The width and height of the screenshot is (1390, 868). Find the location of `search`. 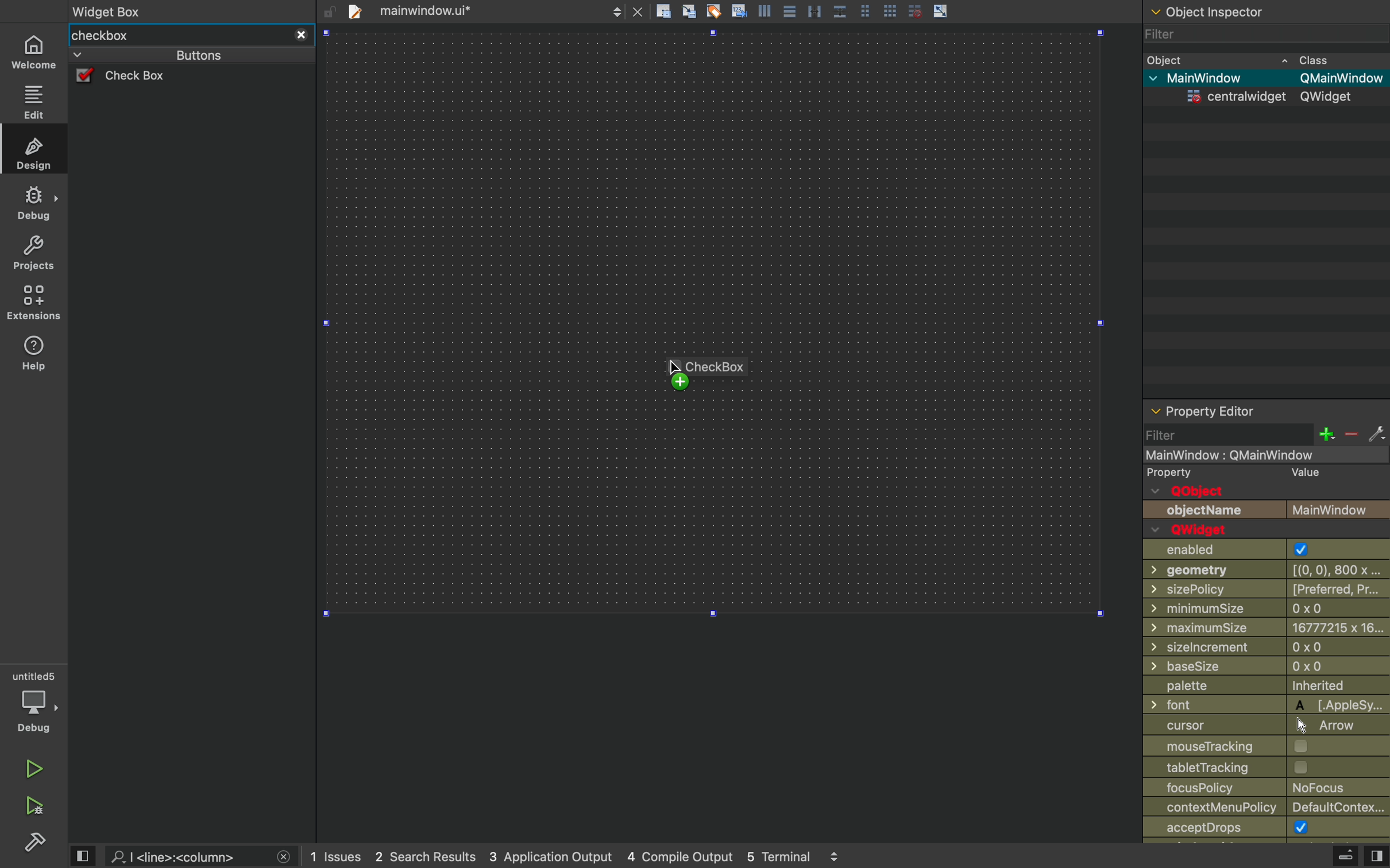

search is located at coordinates (184, 857).